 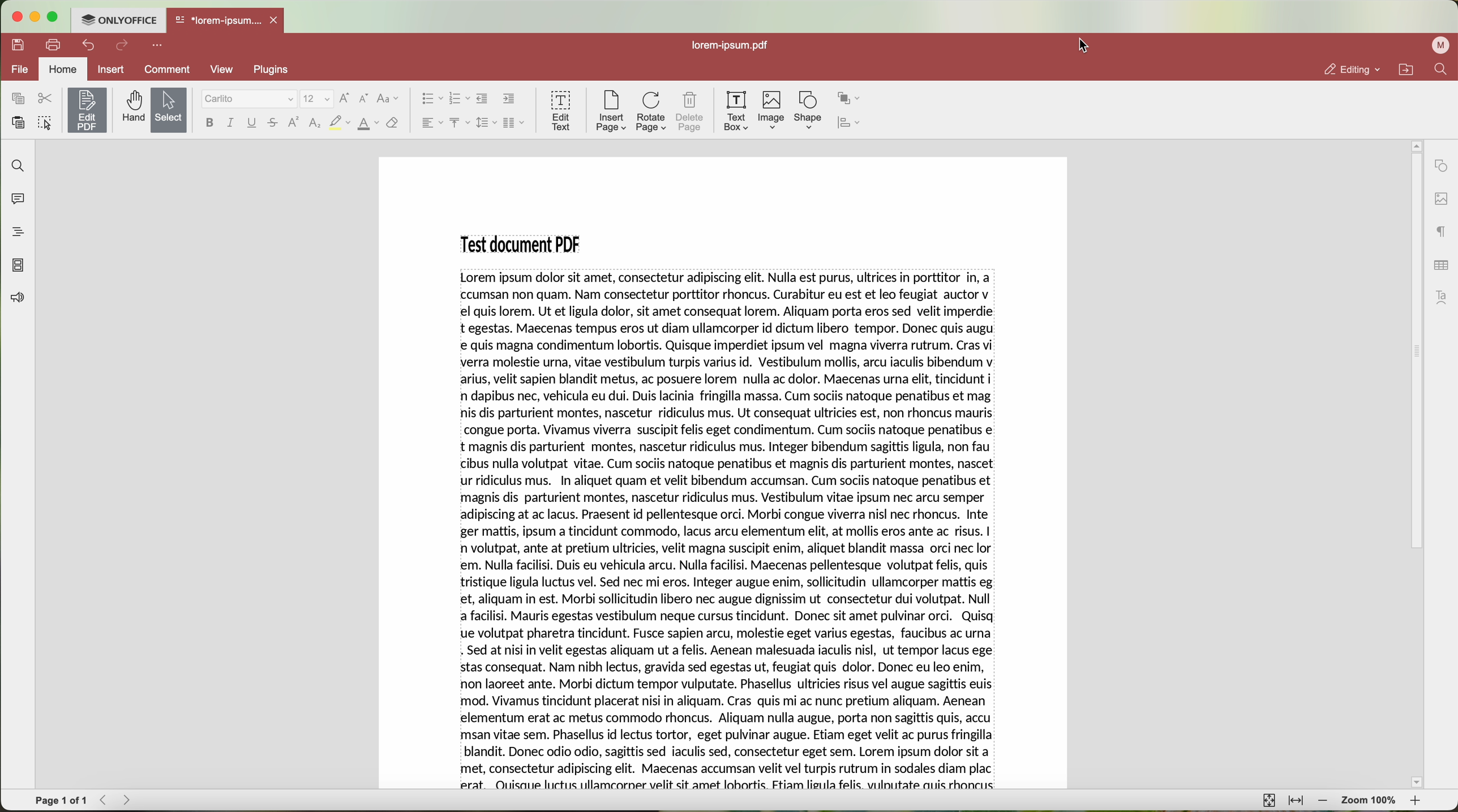 I want to click on *lorem-ipsum...., so click(x=218, y=19).